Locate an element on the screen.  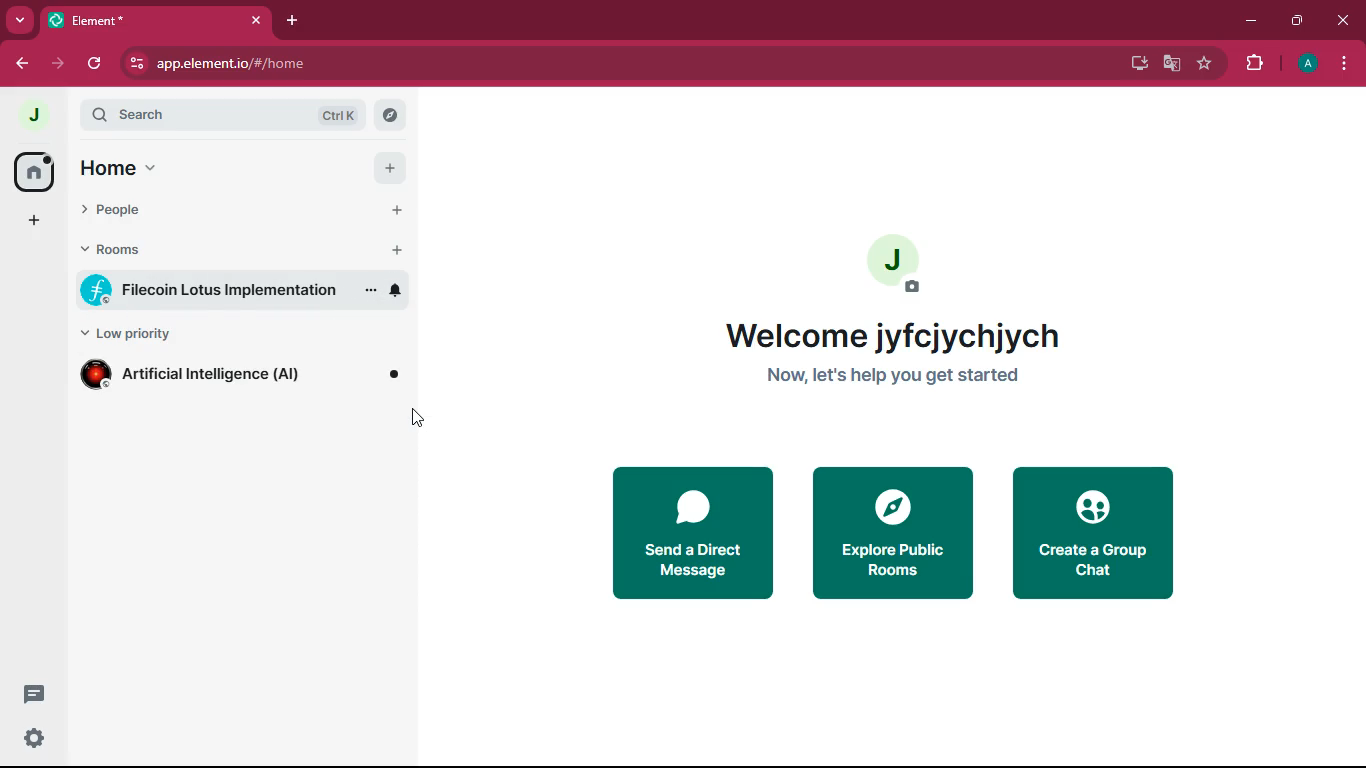
refresh is located at coordinates (98, 63).